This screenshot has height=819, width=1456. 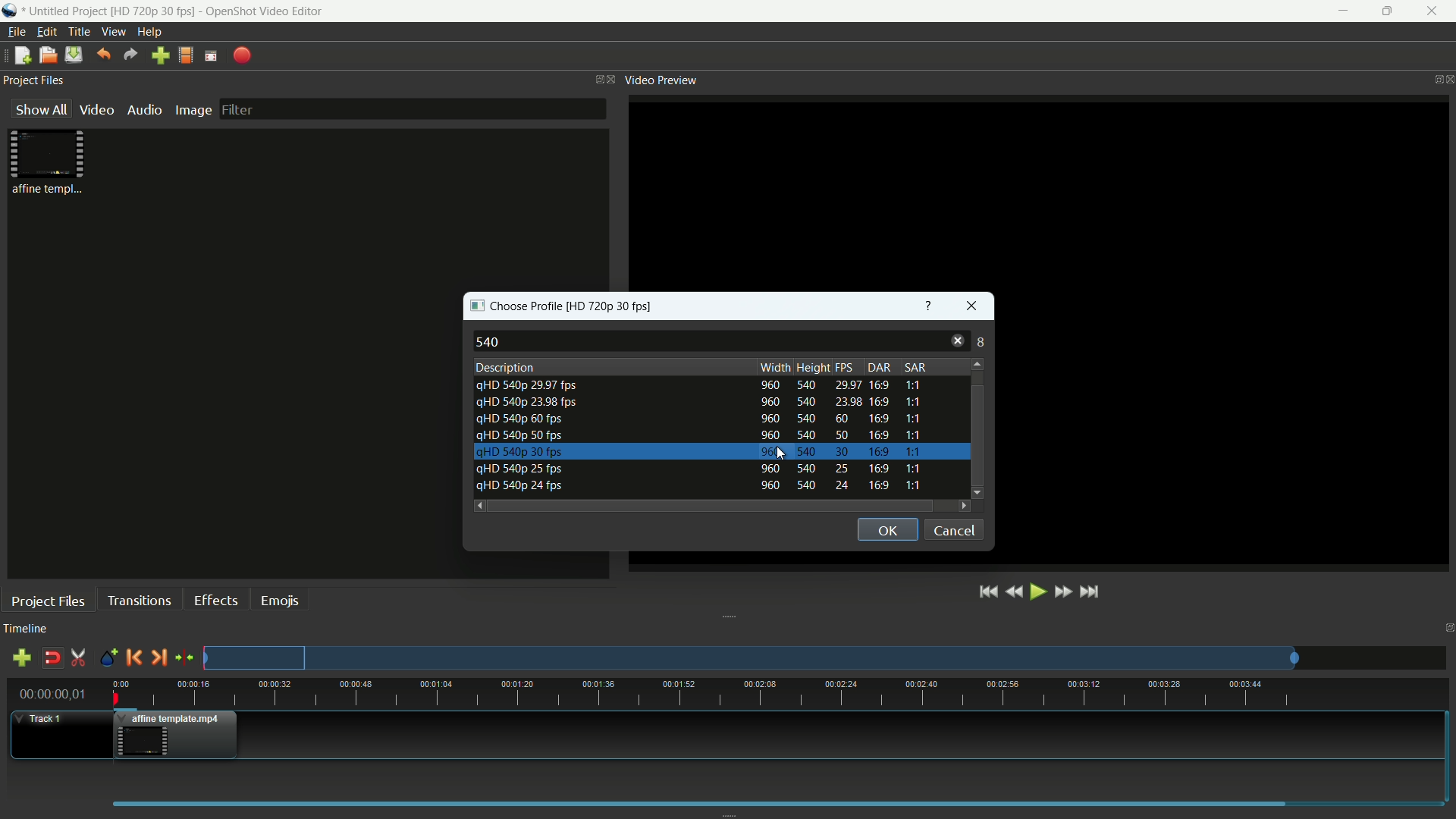 I want to click on scroll bar, so click(x=977, y=403).